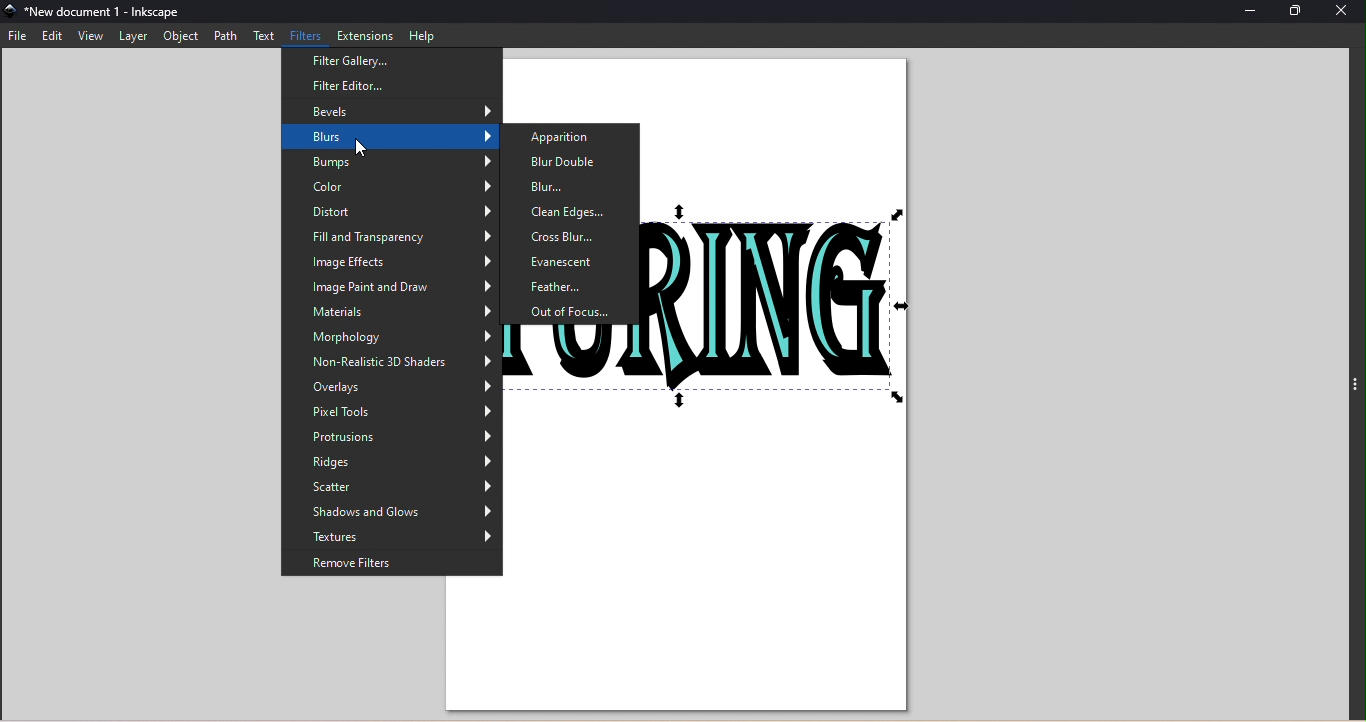 The image size is (1366, 722). I want to click on Object, so click(181, 36).